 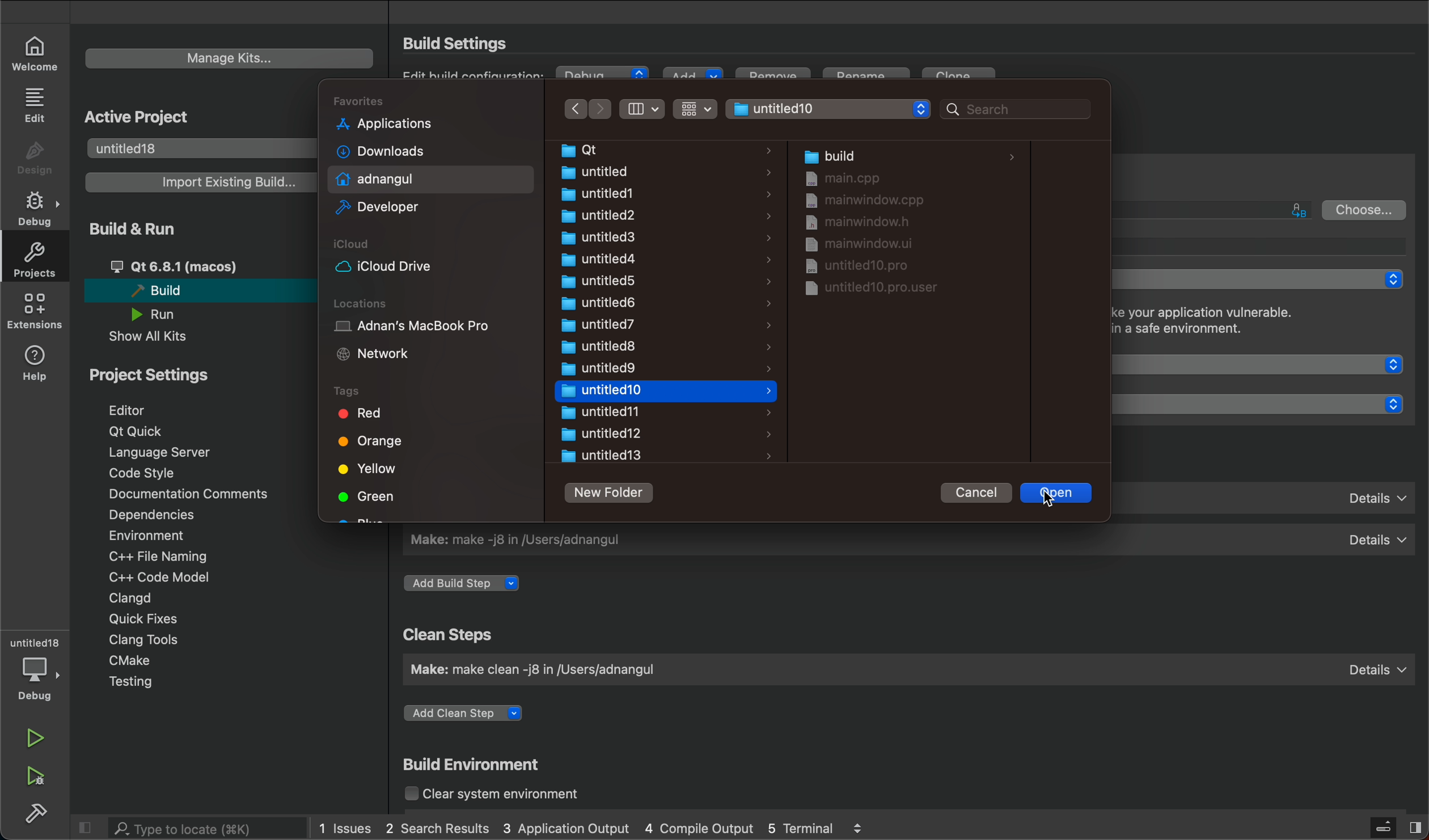 What do you see at coordinates (359, 99) in the screenshot?
I see `Favorites` at bounding box center [359, 99].